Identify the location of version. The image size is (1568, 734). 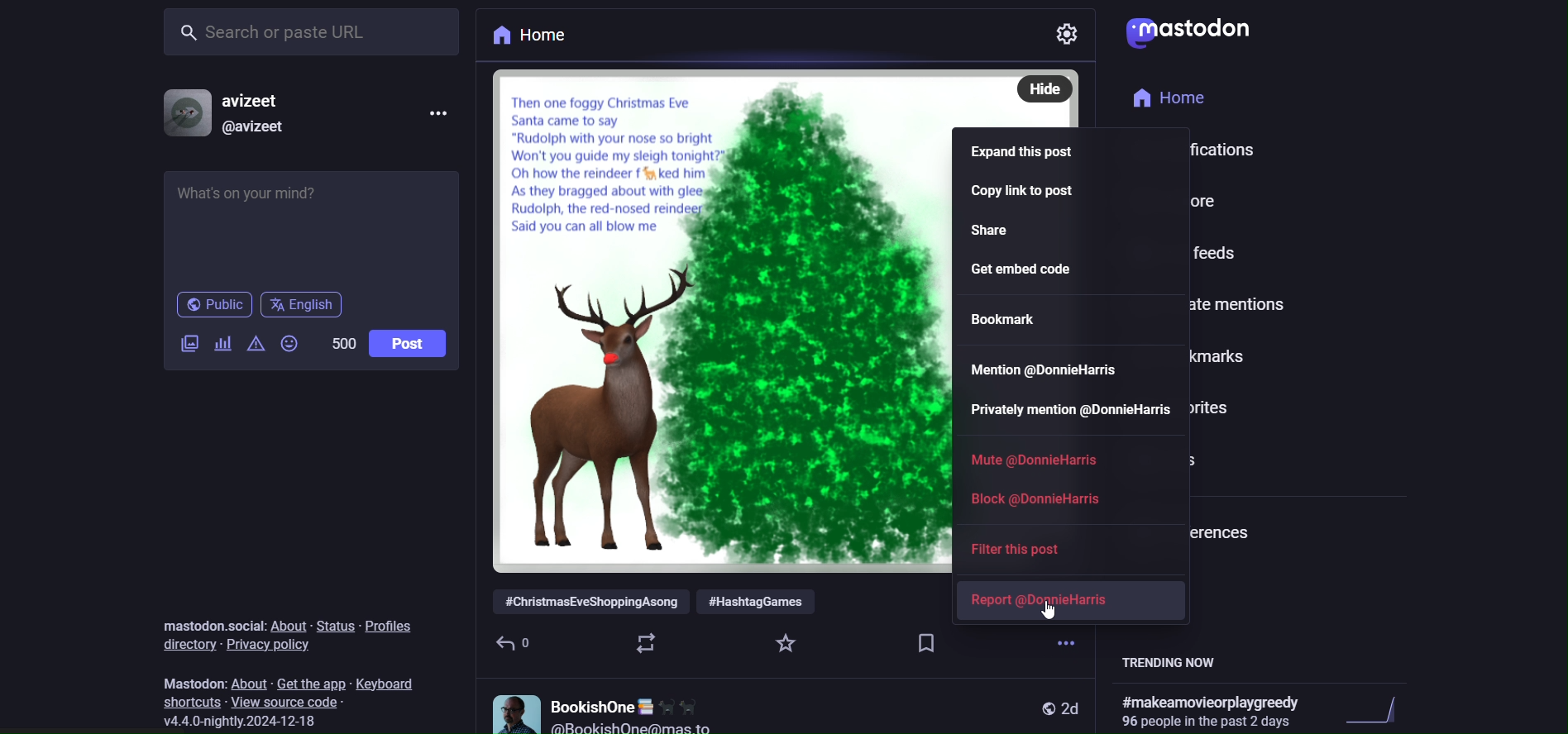
(251, 725).